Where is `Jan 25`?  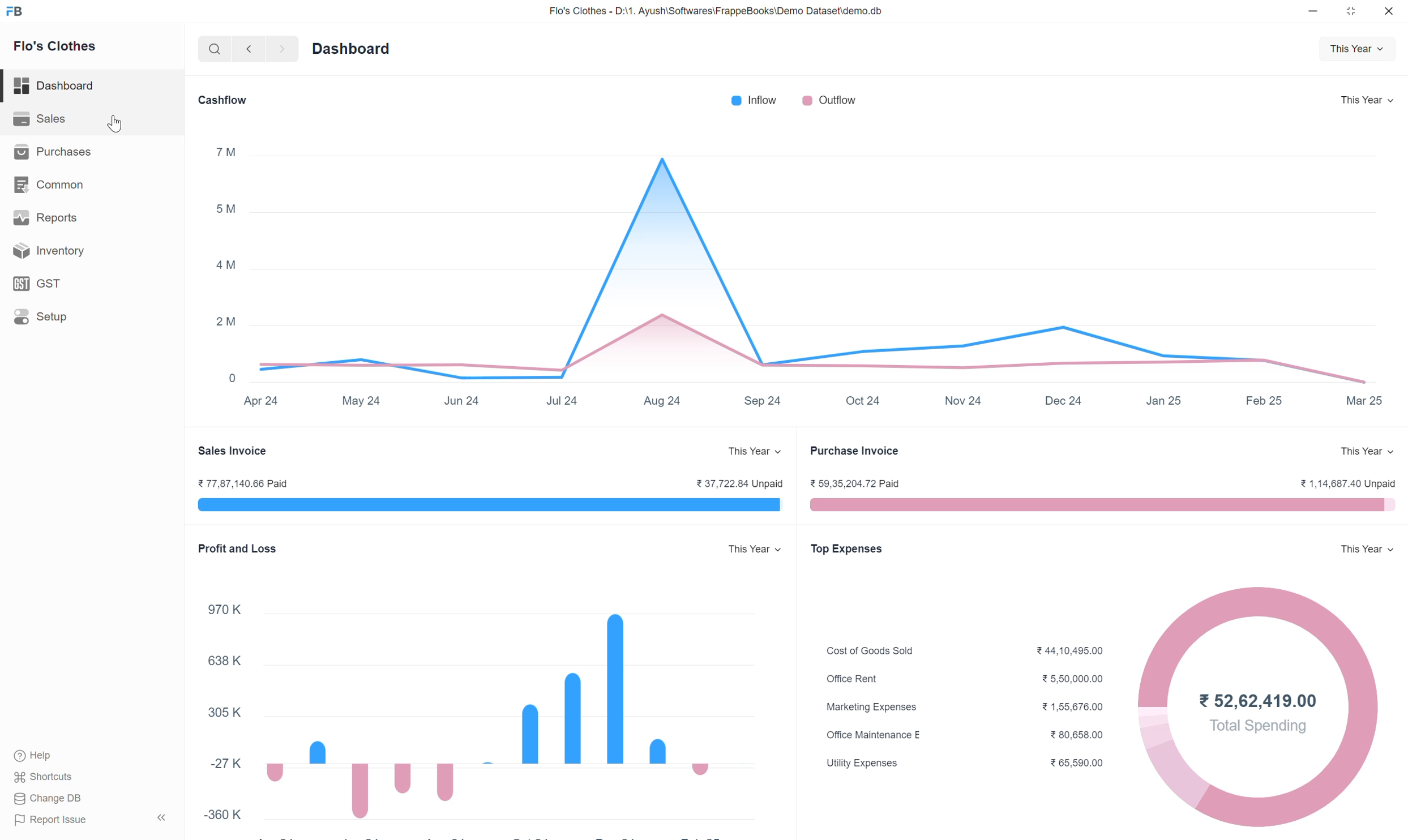
Jan 25 is located at coordinates (1162, 399).